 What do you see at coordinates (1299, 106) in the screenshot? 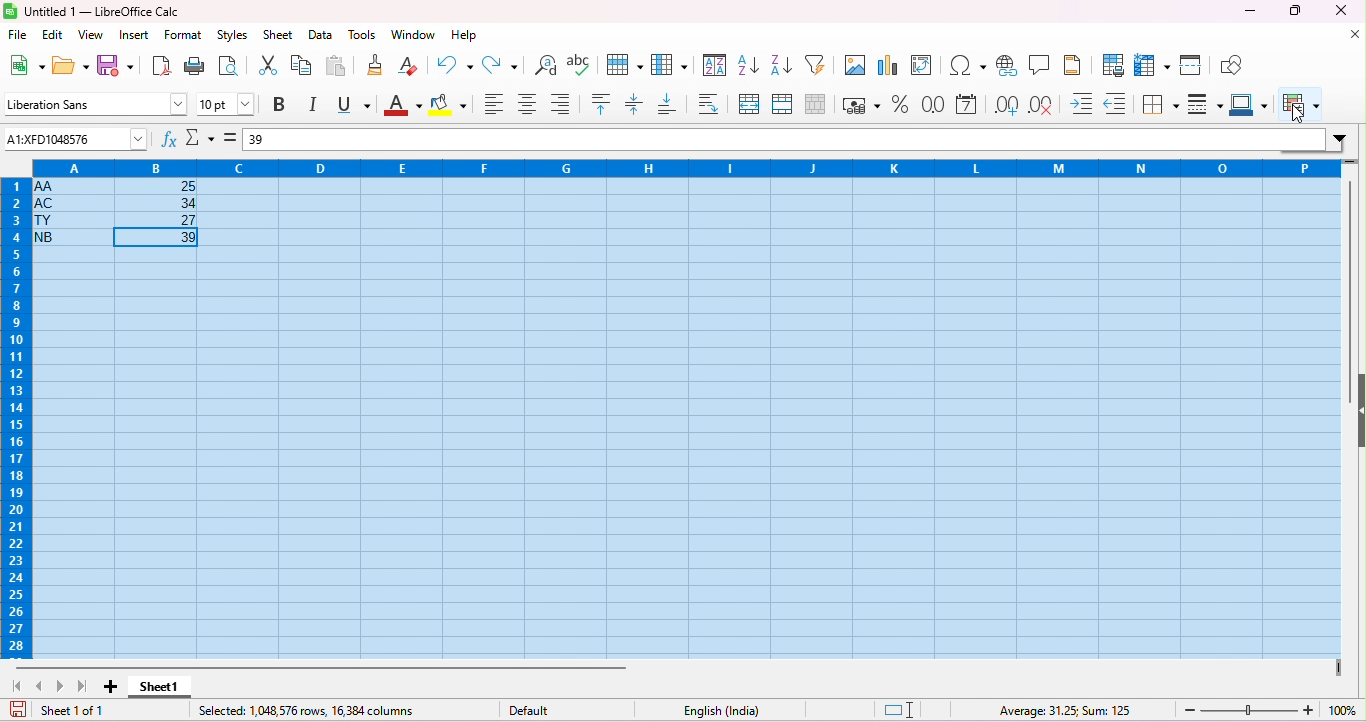
I see `conditional` at bounding box center [1299, 106].